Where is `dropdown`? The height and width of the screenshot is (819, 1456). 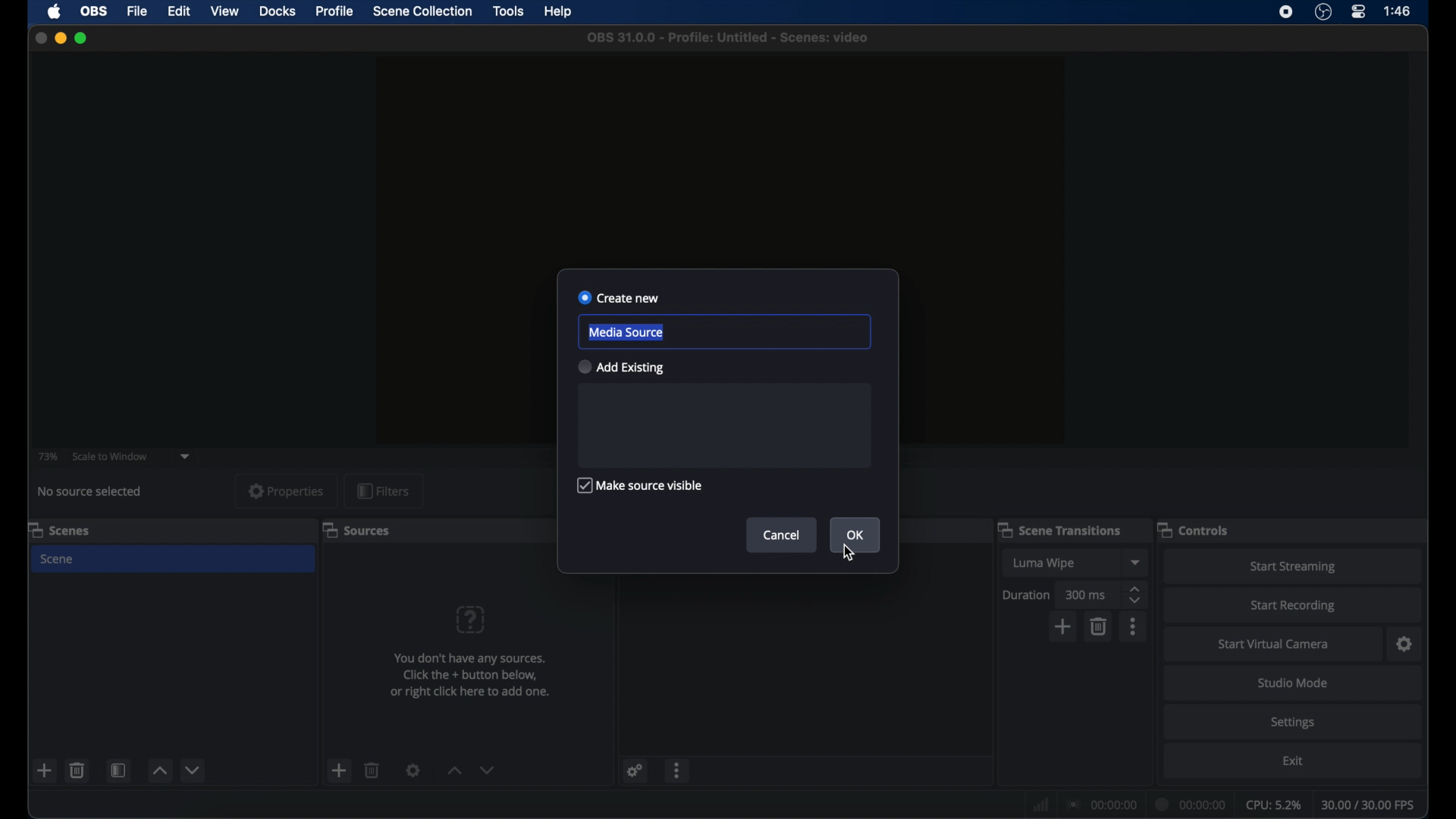 dropdown is located at coordinates (185, 457).